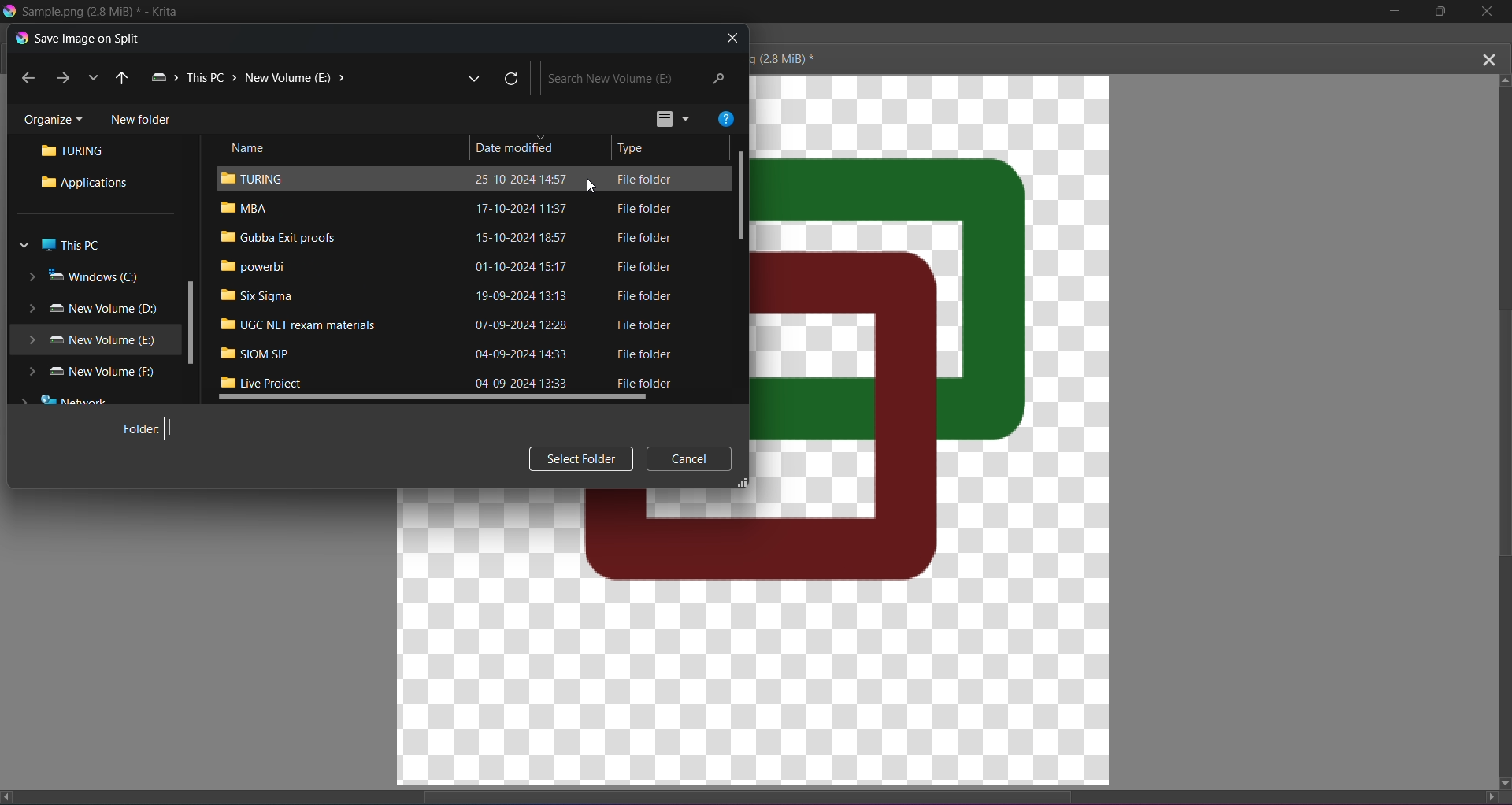 This screenshot has height=805, width=1512. I want to click on New Volume (E), so click(86, 341).